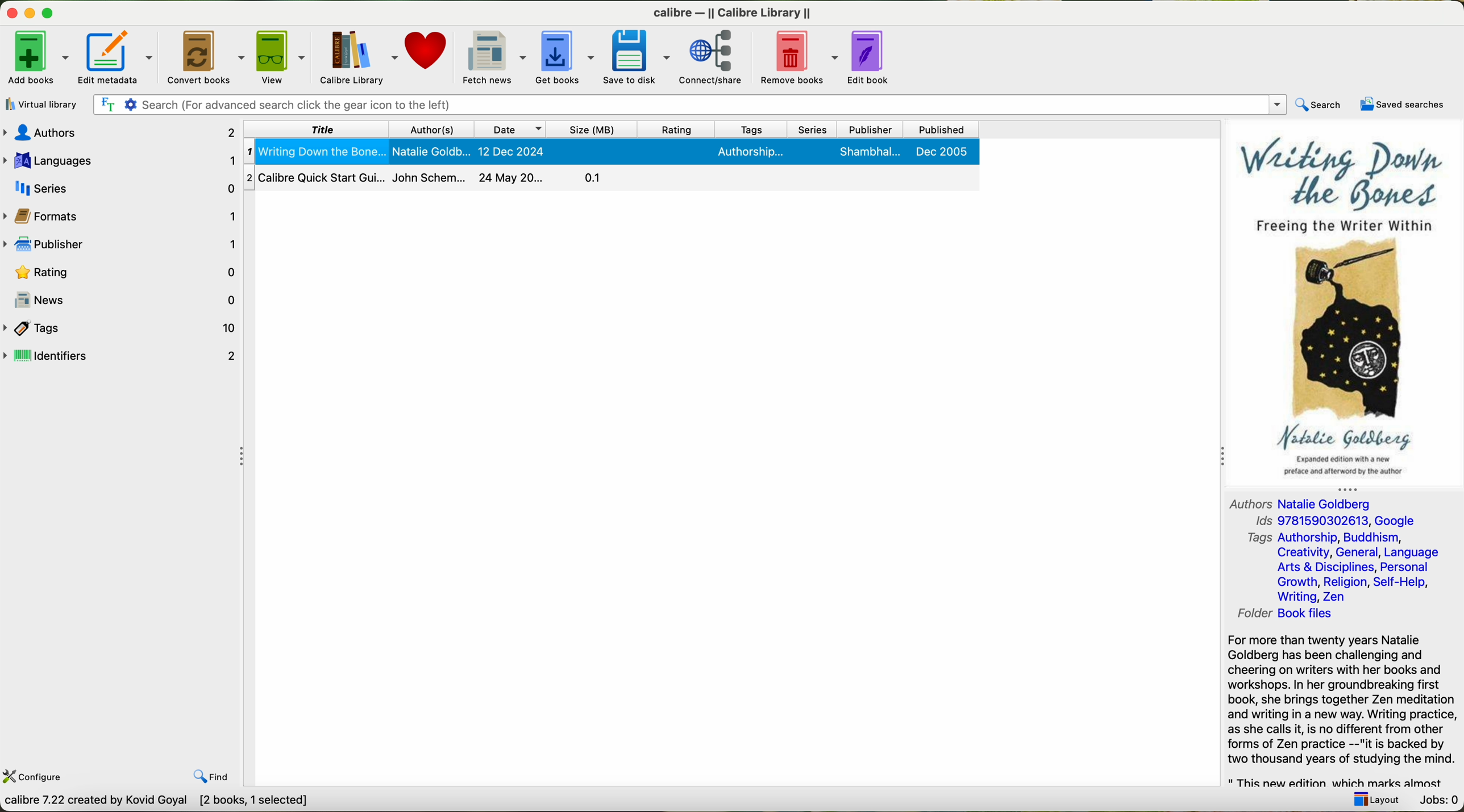  Describe the element at coordinates (1345, 303) in the screenshot. I see `cover book preview` at that location.